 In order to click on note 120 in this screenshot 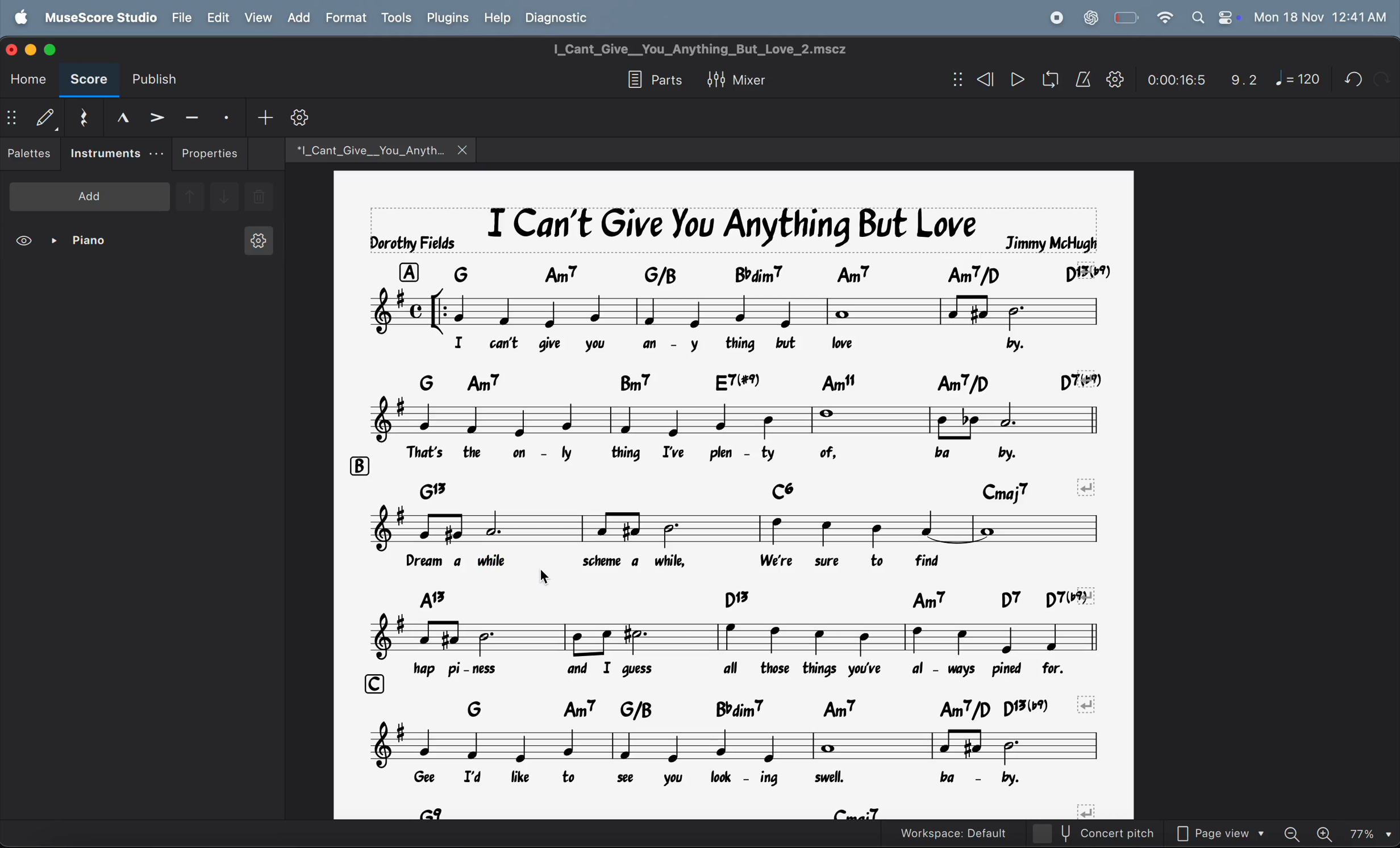, I will do `click(1299, 80)`.